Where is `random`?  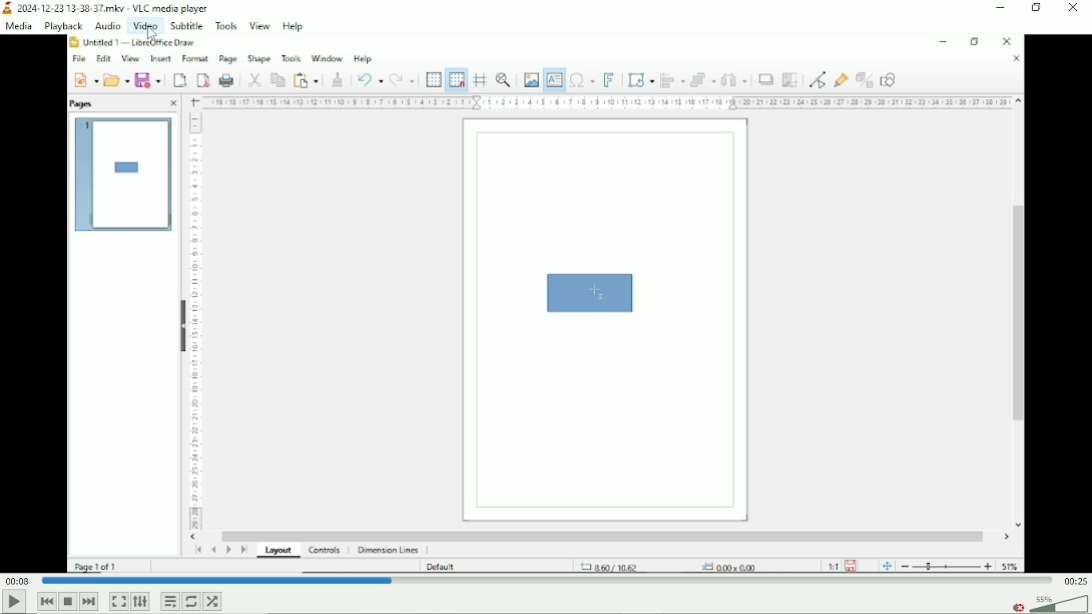
random is located at coordinates (213, 601).